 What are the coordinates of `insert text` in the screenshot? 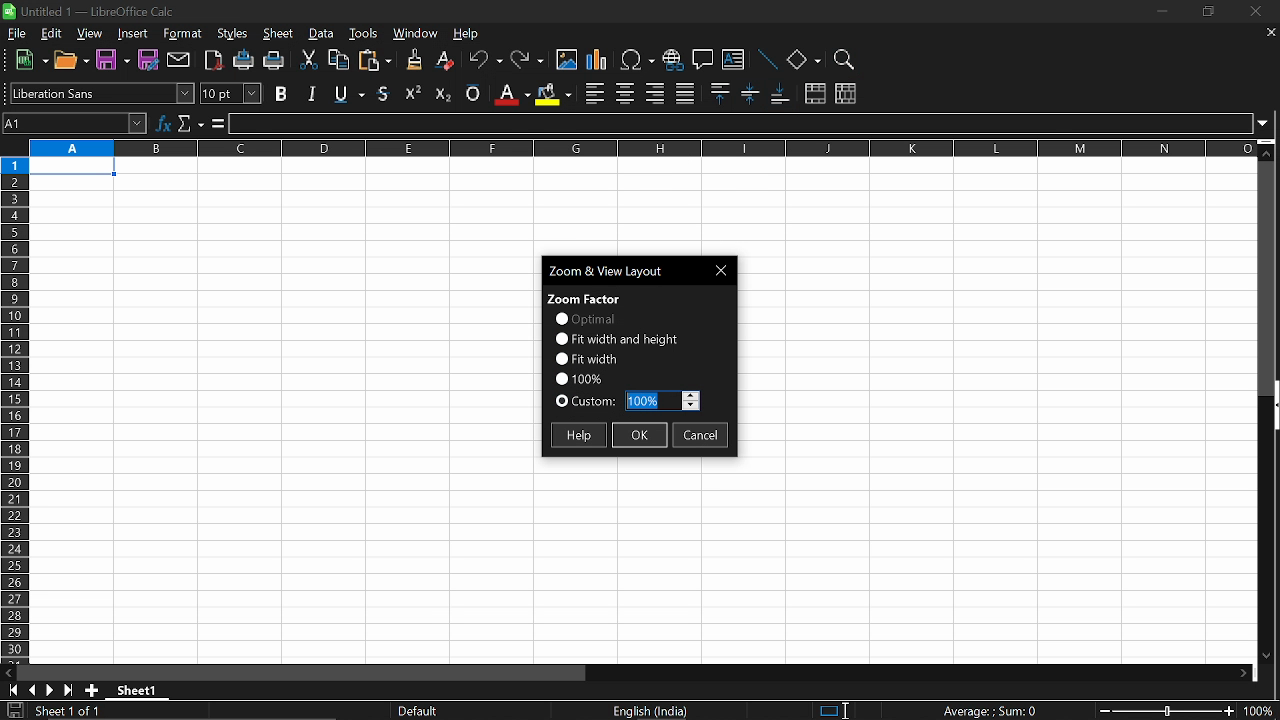 It's located at (733, 62).